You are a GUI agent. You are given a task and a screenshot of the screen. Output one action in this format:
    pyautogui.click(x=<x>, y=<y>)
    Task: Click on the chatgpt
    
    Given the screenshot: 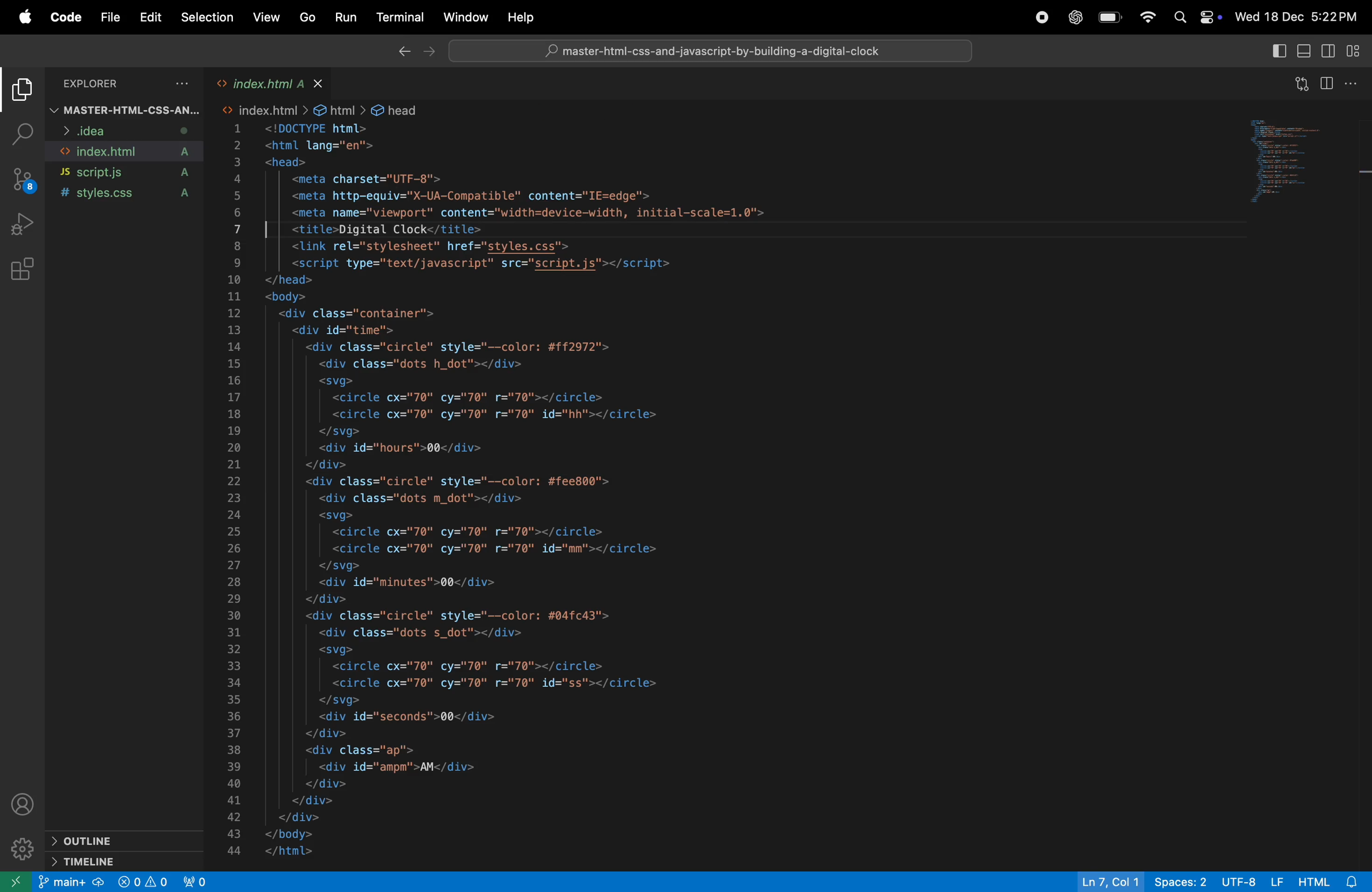 What is the action you would take?
    pyautogui.click(x=1074, y=16)
    